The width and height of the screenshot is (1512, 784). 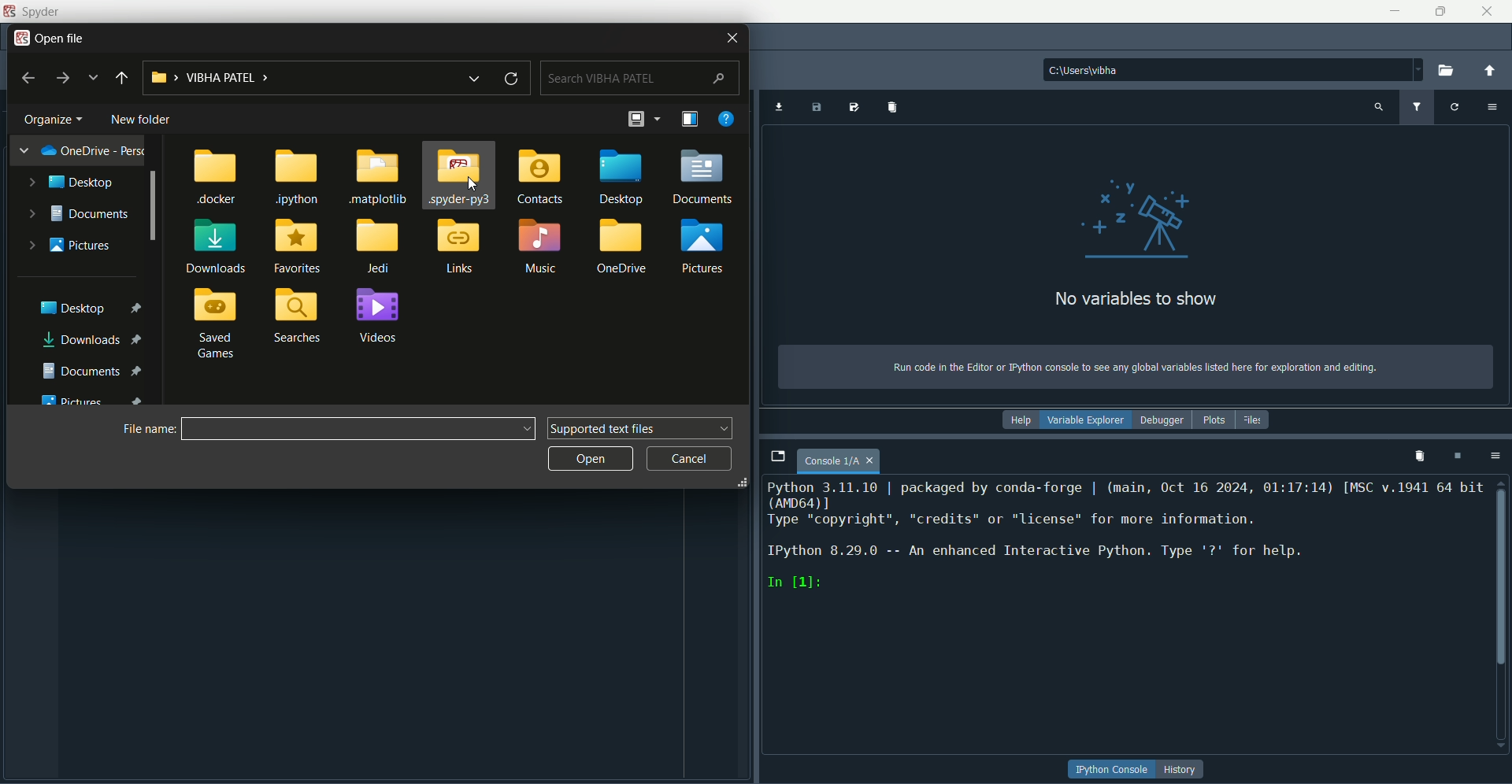 I want to click on options, so click(x=1499, y=457).